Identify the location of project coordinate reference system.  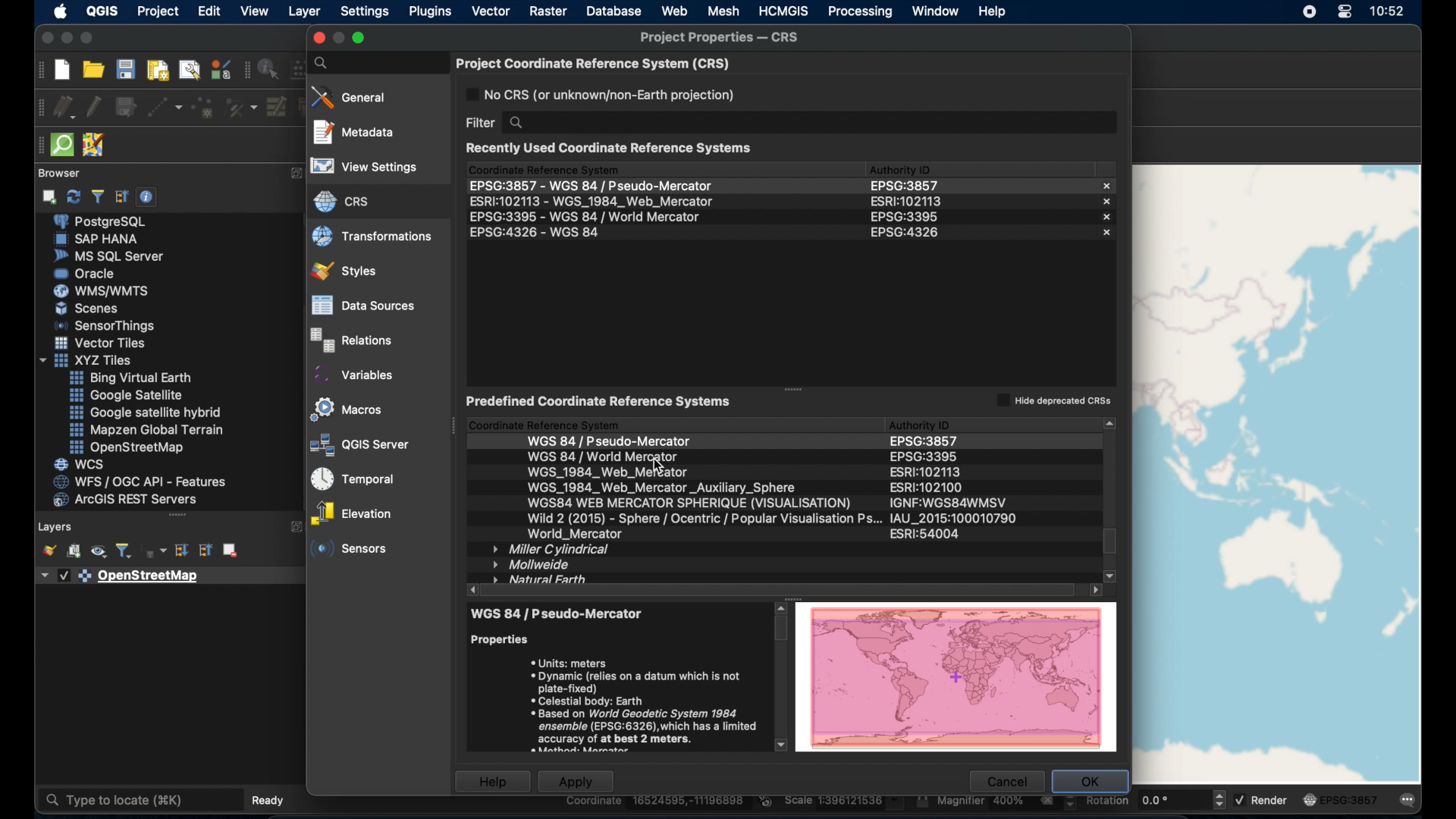
(593, 61).